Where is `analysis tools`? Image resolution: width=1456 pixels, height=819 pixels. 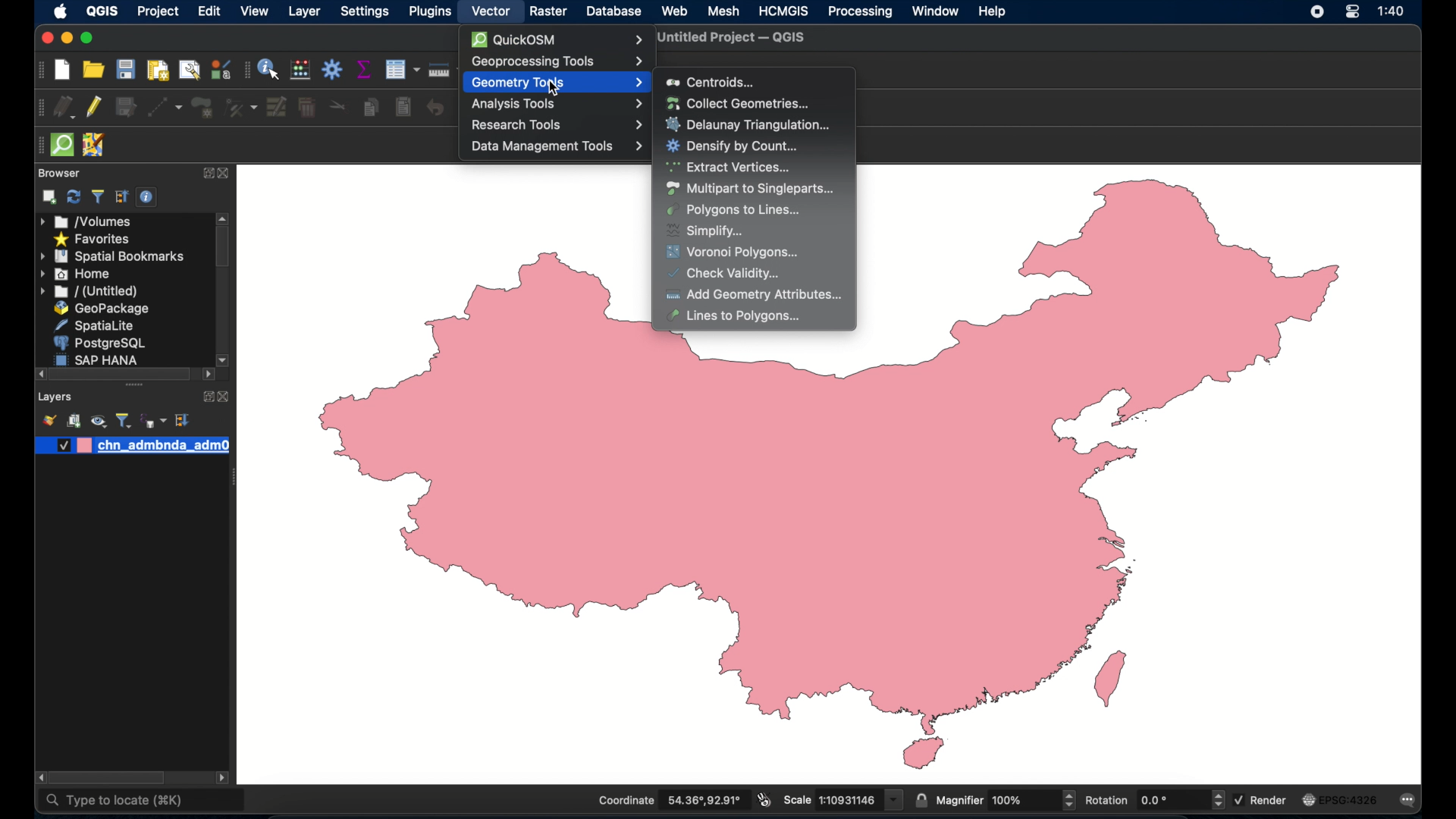 analysis tools is located at coordinates (554, 105).